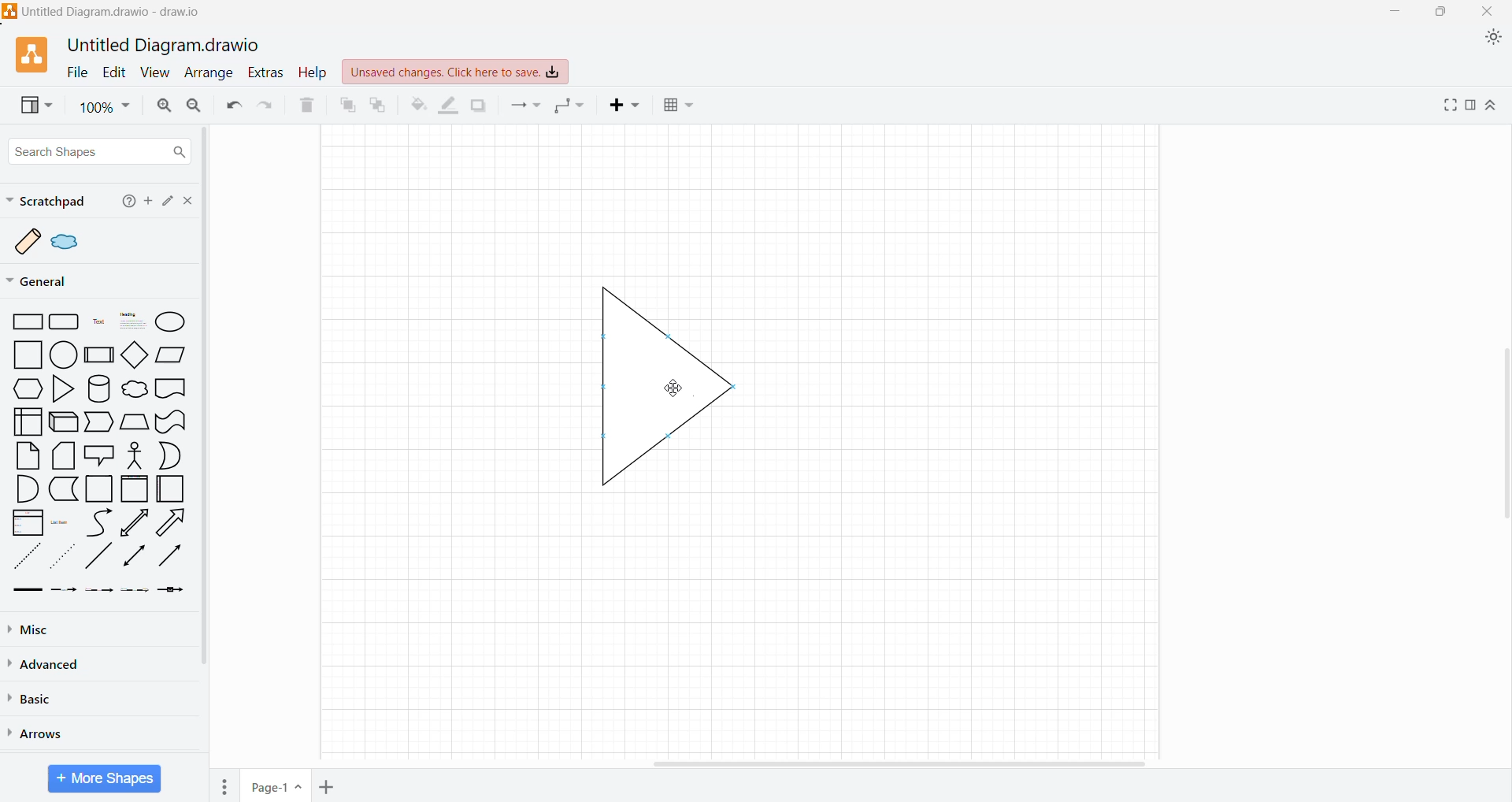 The height and width of the screenshot is (802, 1512). Describe the element at coordinates (904, 761) in the screenshot. I see `Horizontal Scroll Bar` at that location.